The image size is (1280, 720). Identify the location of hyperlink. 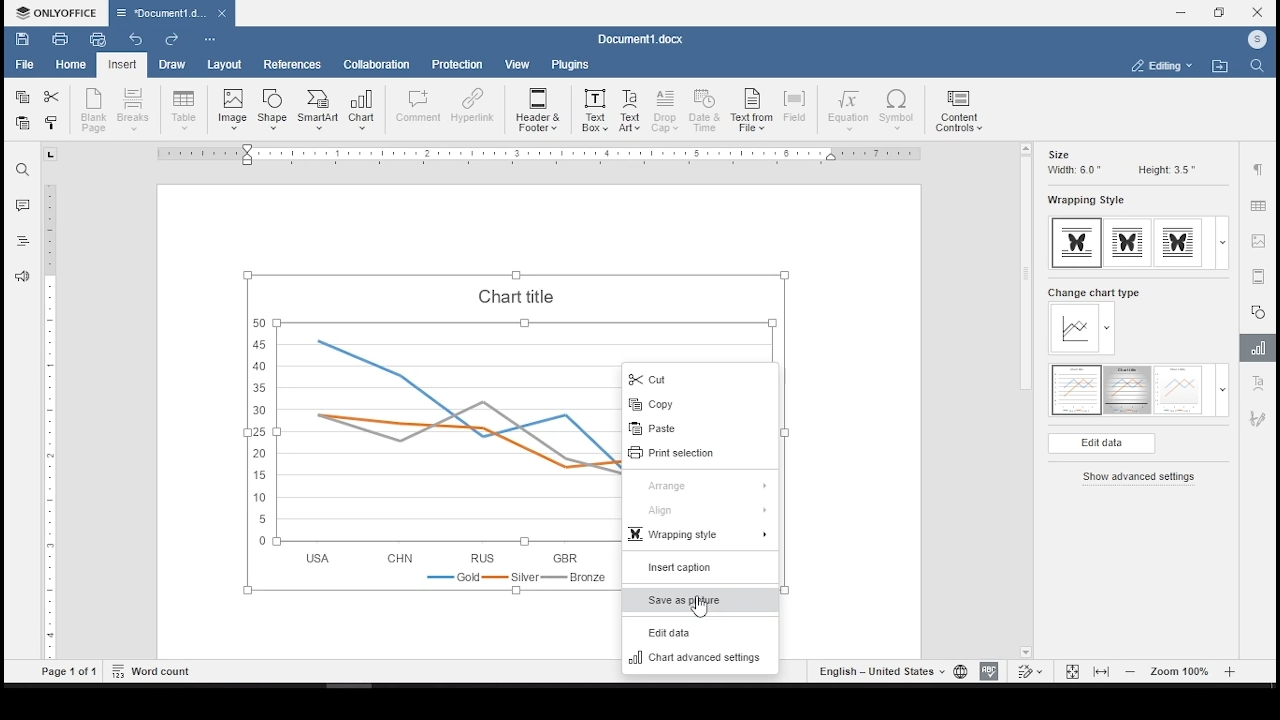
(472, 108).